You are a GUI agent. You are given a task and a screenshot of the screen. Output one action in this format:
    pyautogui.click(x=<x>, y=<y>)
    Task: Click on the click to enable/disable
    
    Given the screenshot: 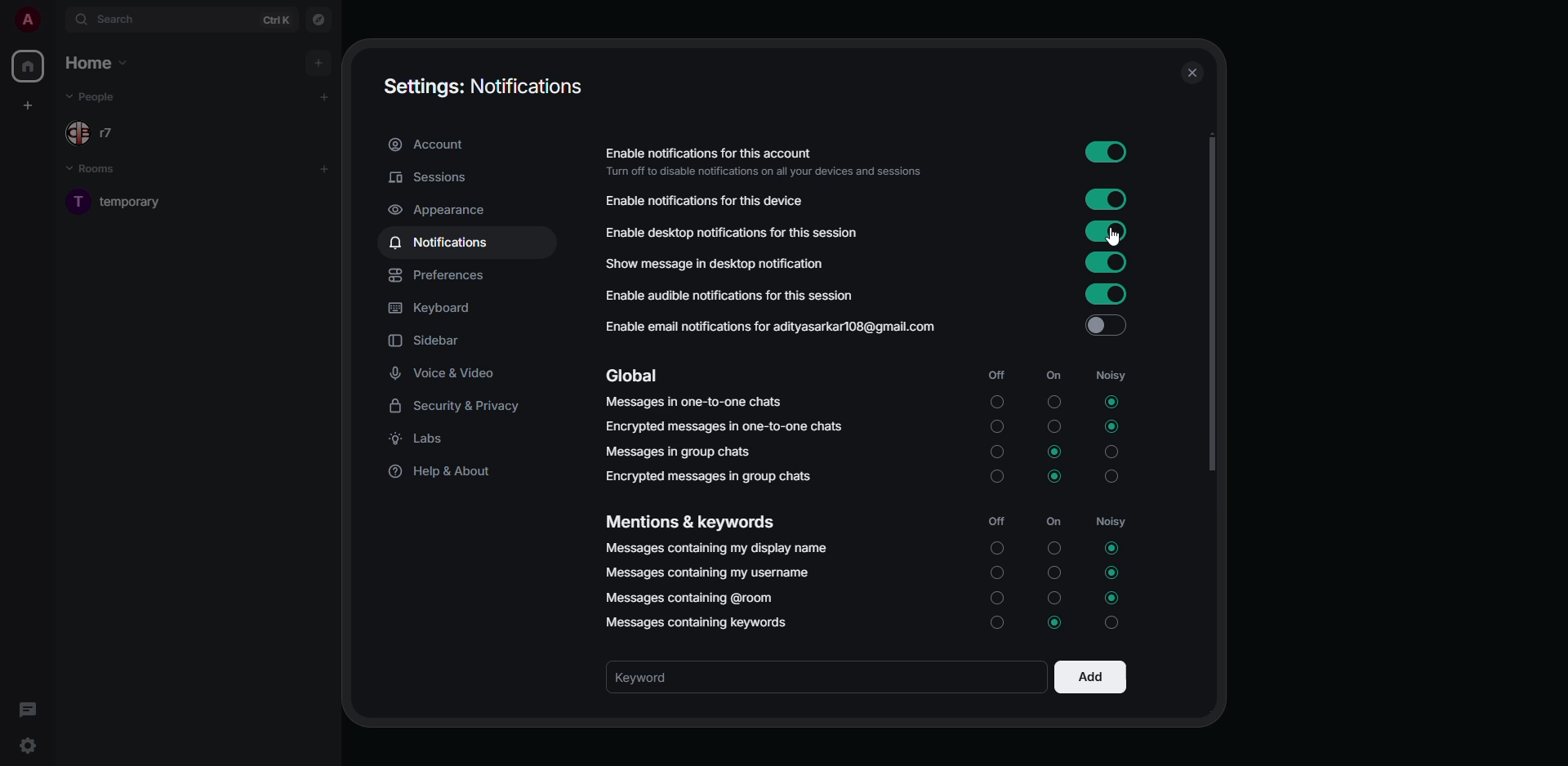 What is the action you would take?
    pyautogui.click(x=1108, y=152)
    